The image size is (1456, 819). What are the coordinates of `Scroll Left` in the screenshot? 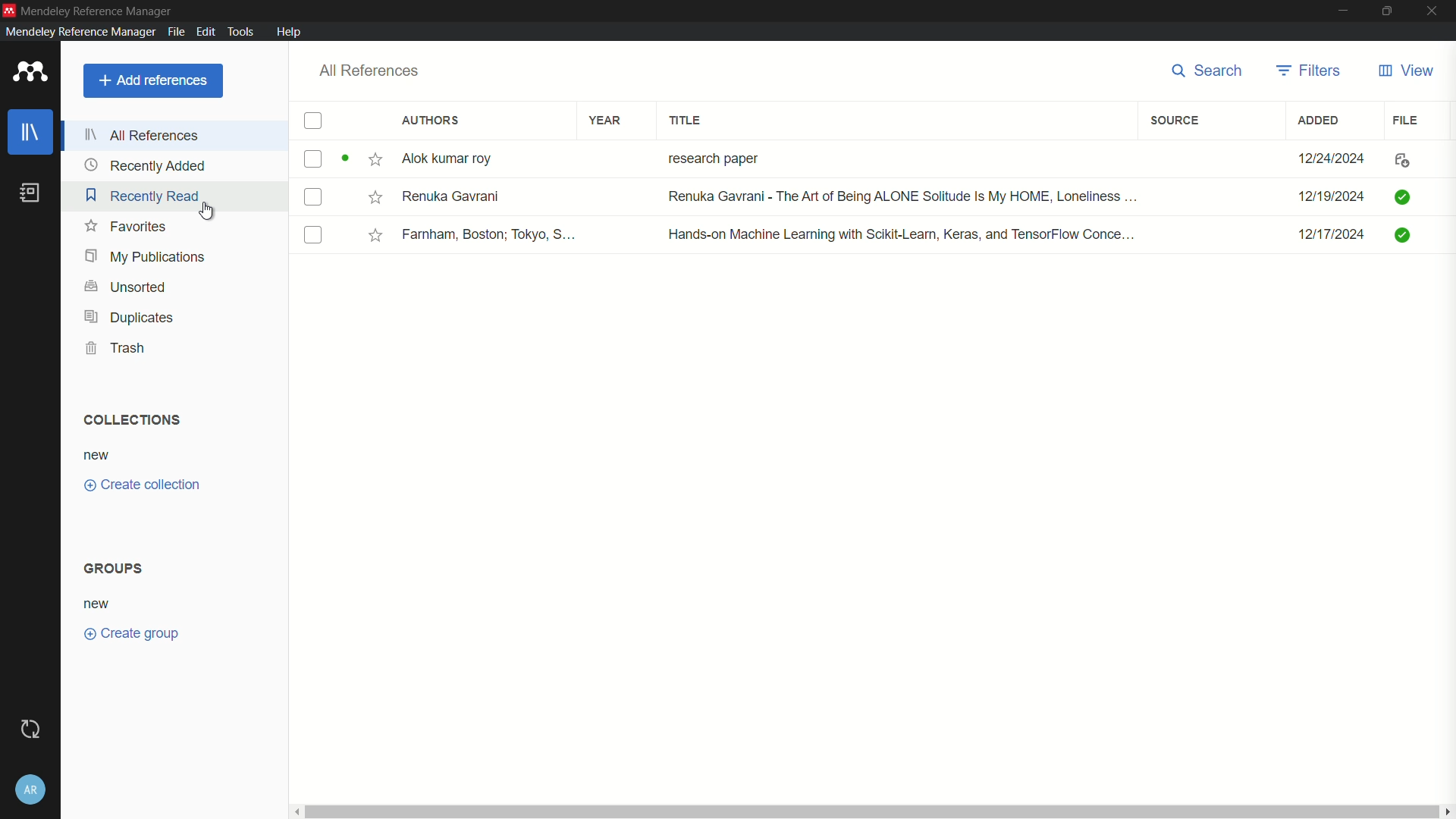 It's located at (297, 813).